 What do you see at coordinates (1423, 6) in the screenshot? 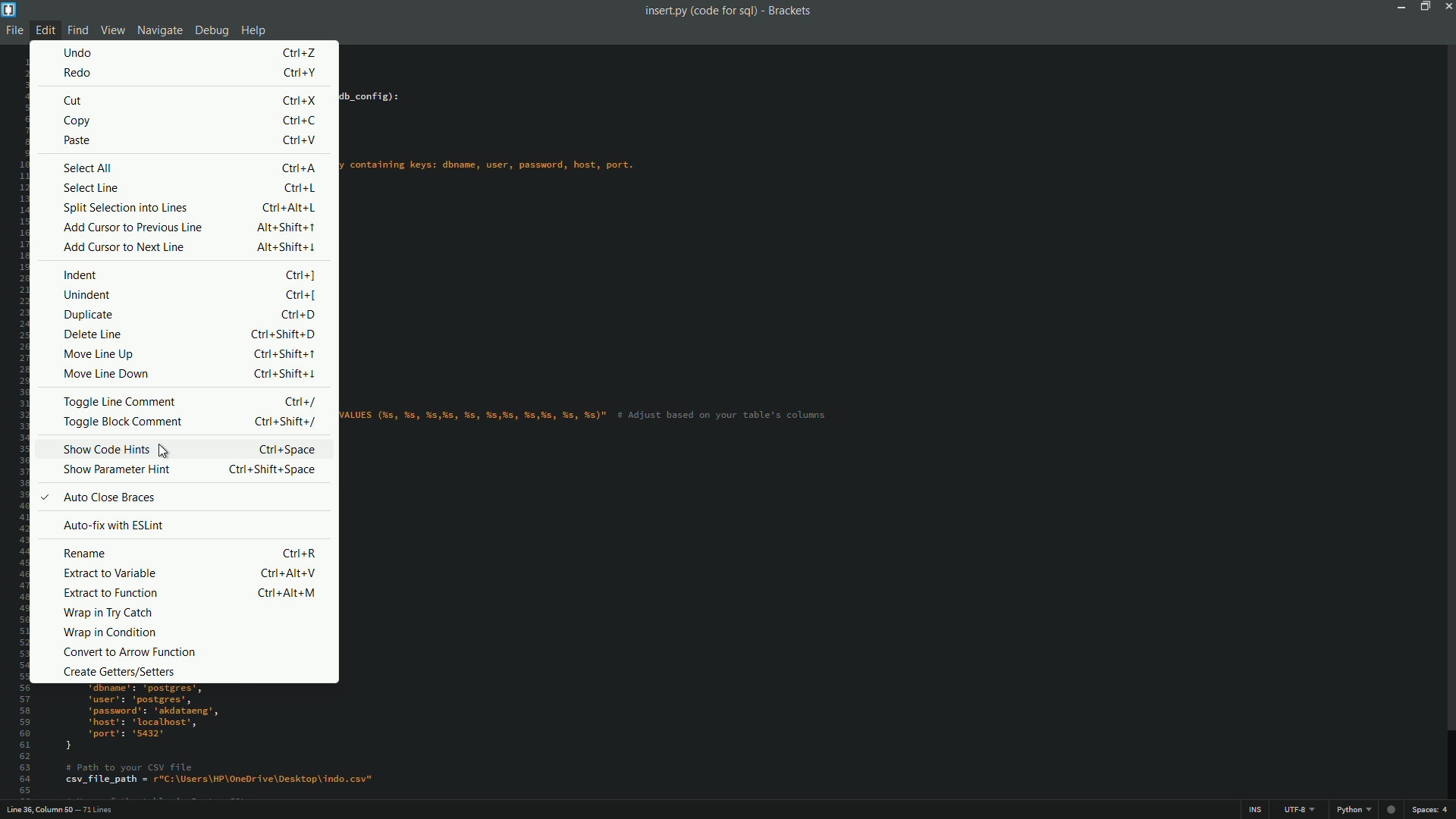
I see `maximize` at bounding box center [1423, 6].